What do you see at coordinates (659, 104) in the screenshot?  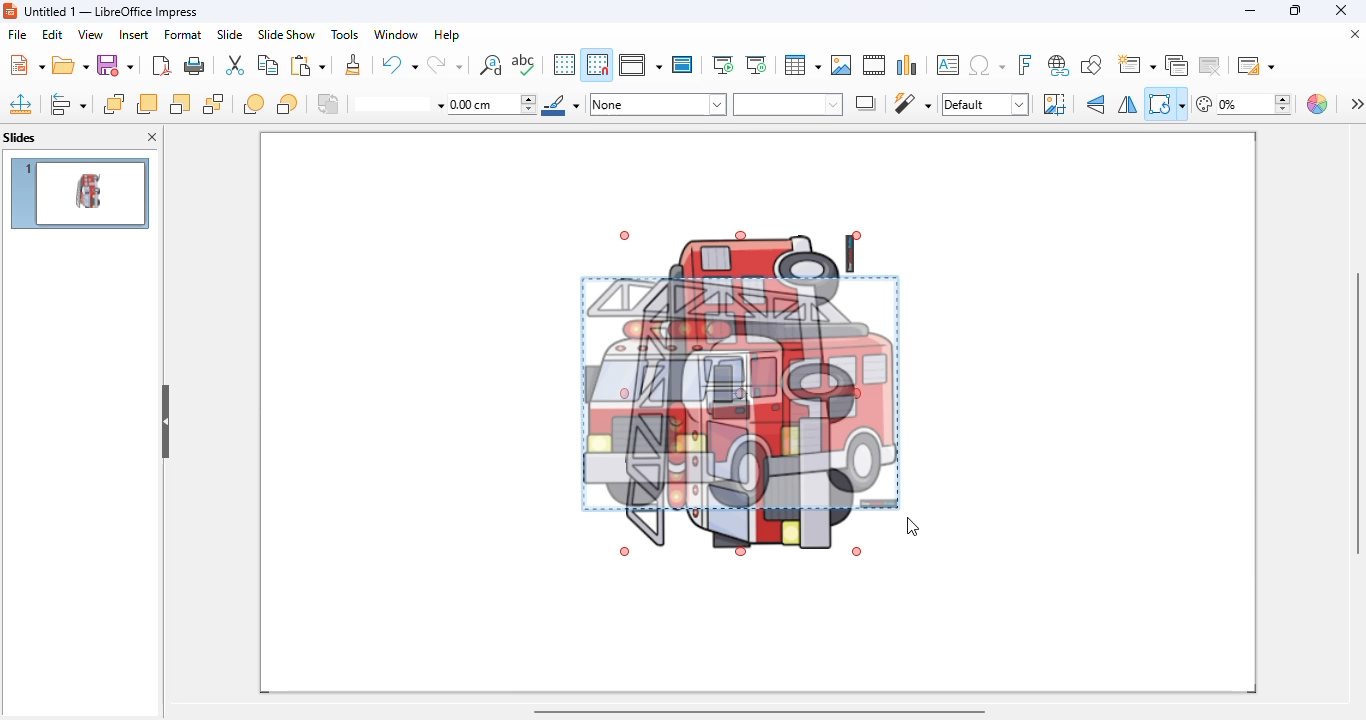 I see `area style/filling` at bounding box center [659, 104].